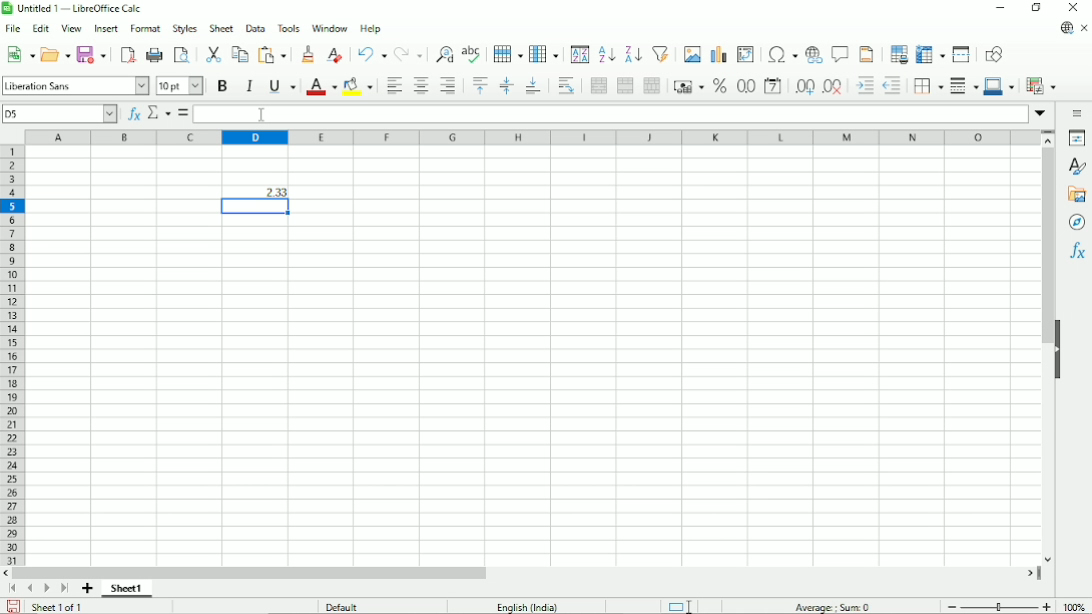  I want to click on Sort ascending, so click(608, 54).